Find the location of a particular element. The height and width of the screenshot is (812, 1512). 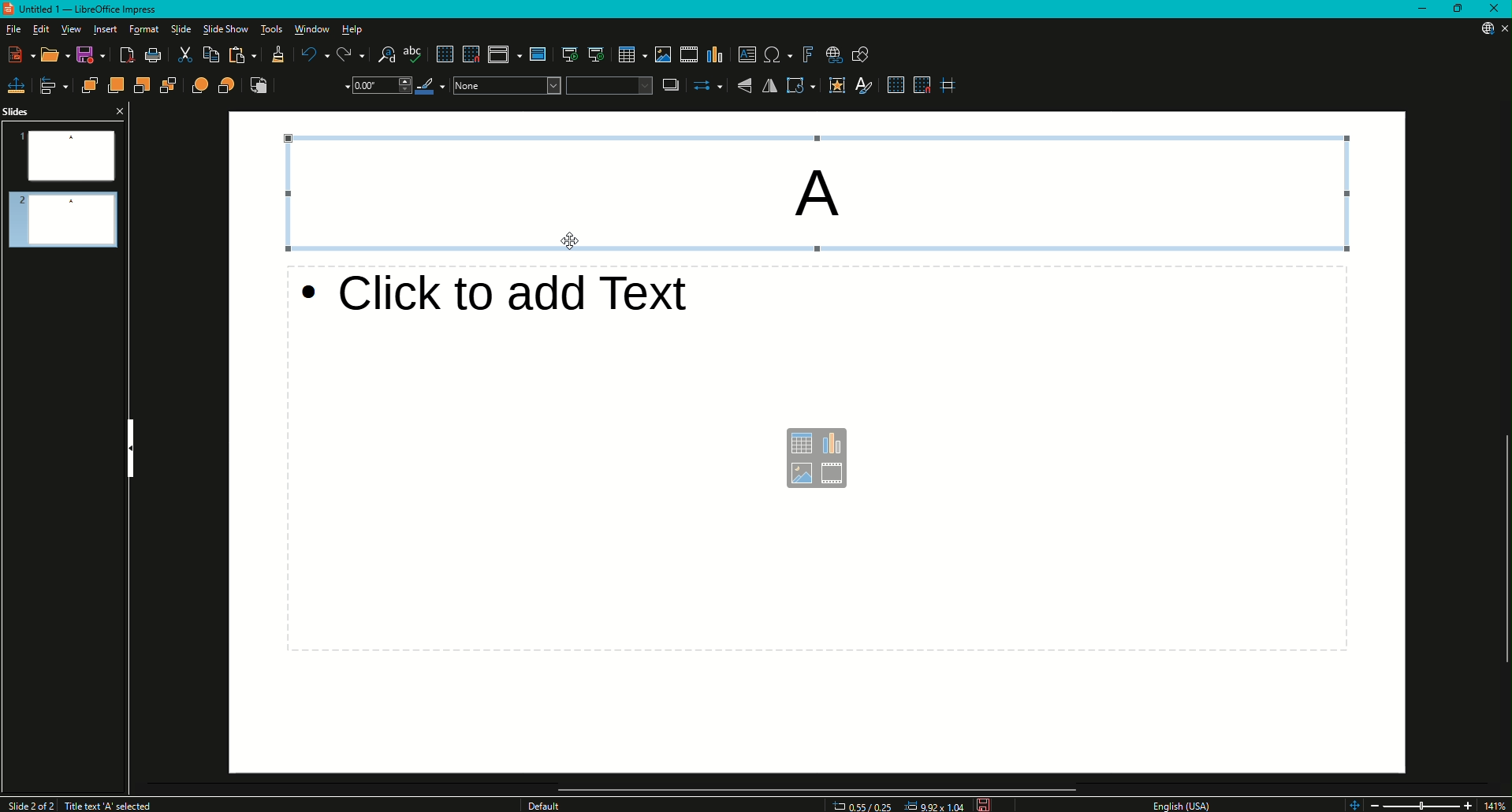

Interaction is located at coordinates (837, 86).